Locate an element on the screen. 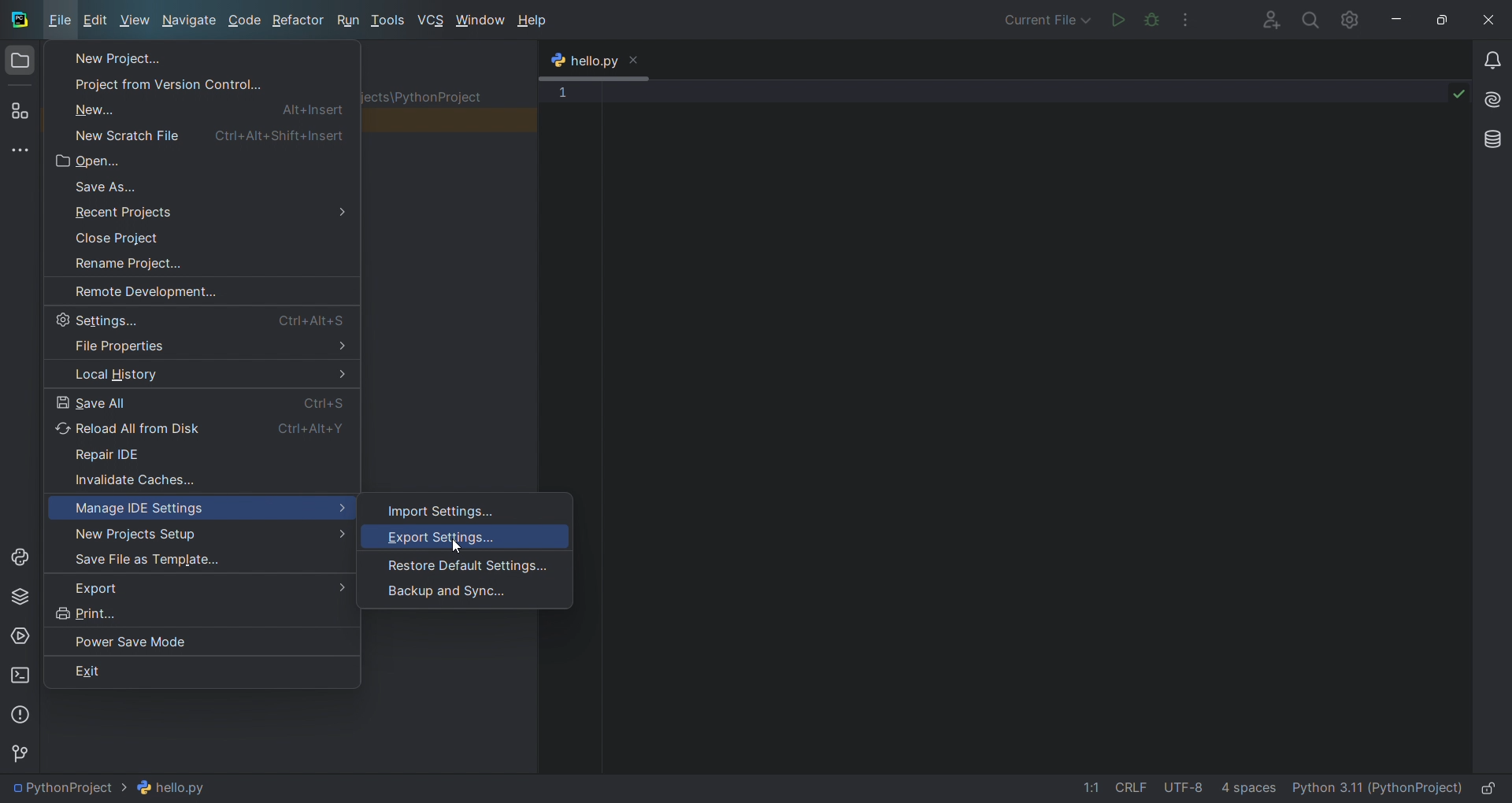 The image size is (1512, 803). refactor is located at coordinates (298, 20).